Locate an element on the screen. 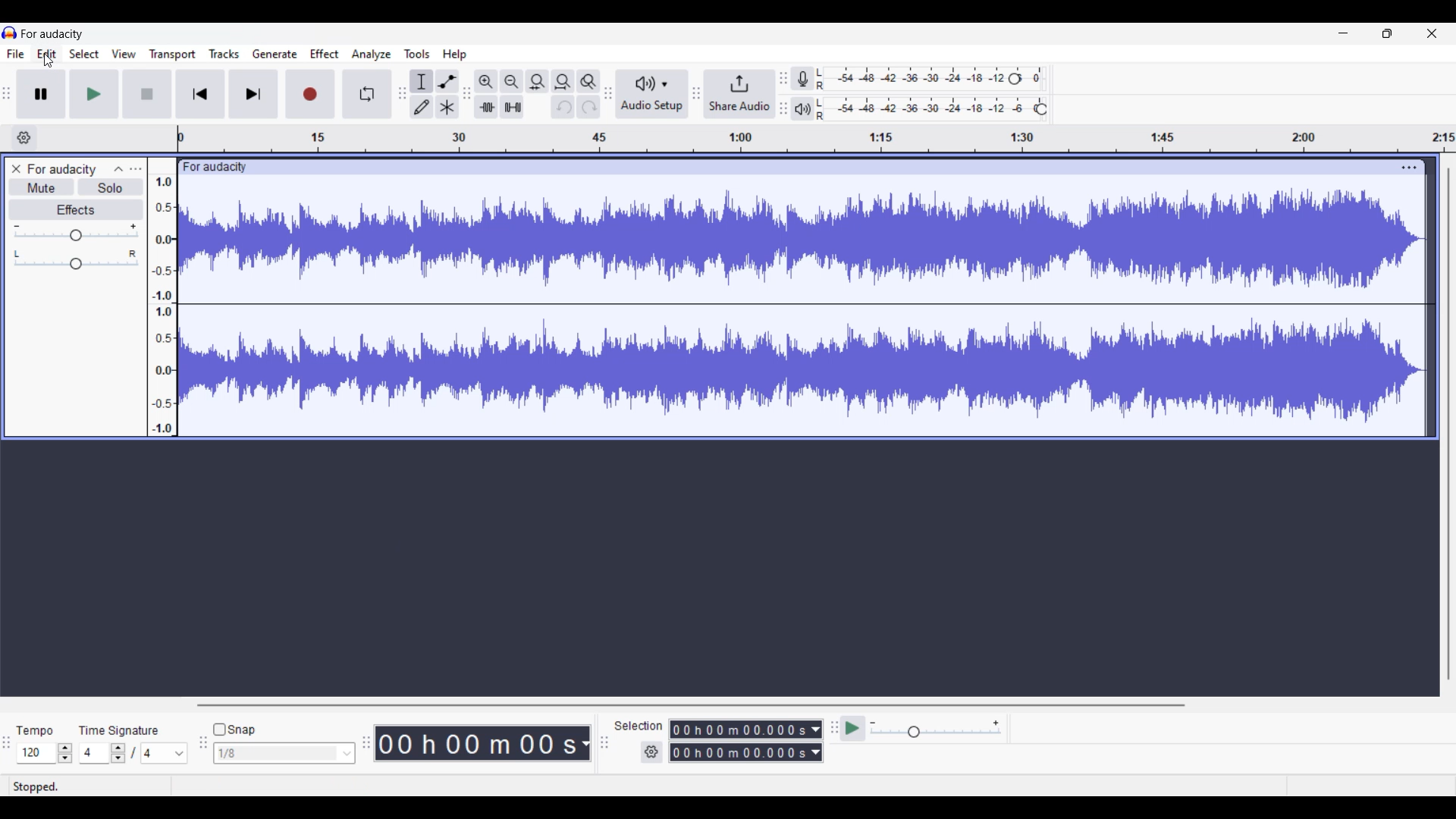 This screenshot has width=1456, height=819. Collapse is located at coordinates (118, 169).